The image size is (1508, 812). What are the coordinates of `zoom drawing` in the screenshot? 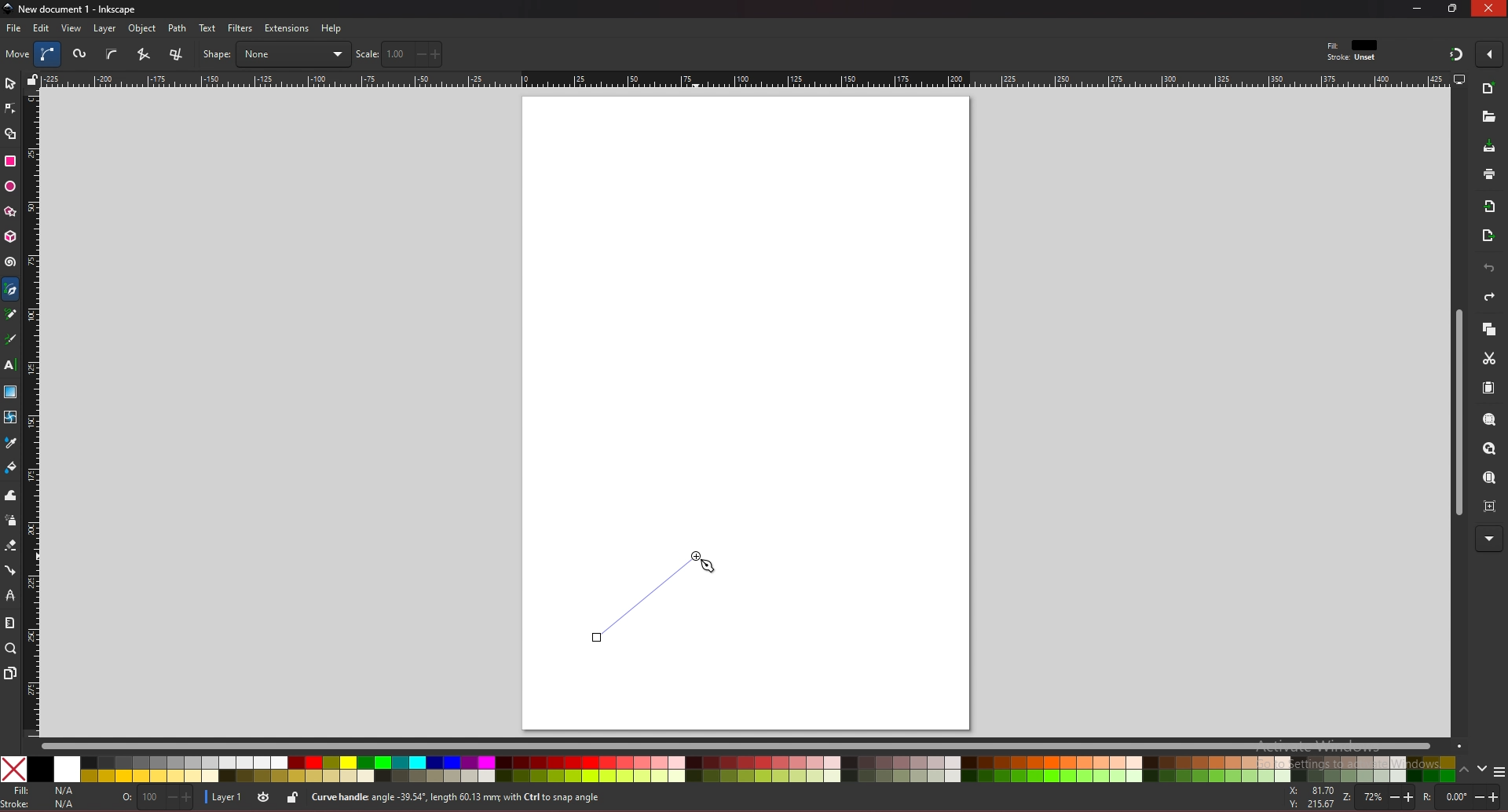 It's located at (1488, 449).